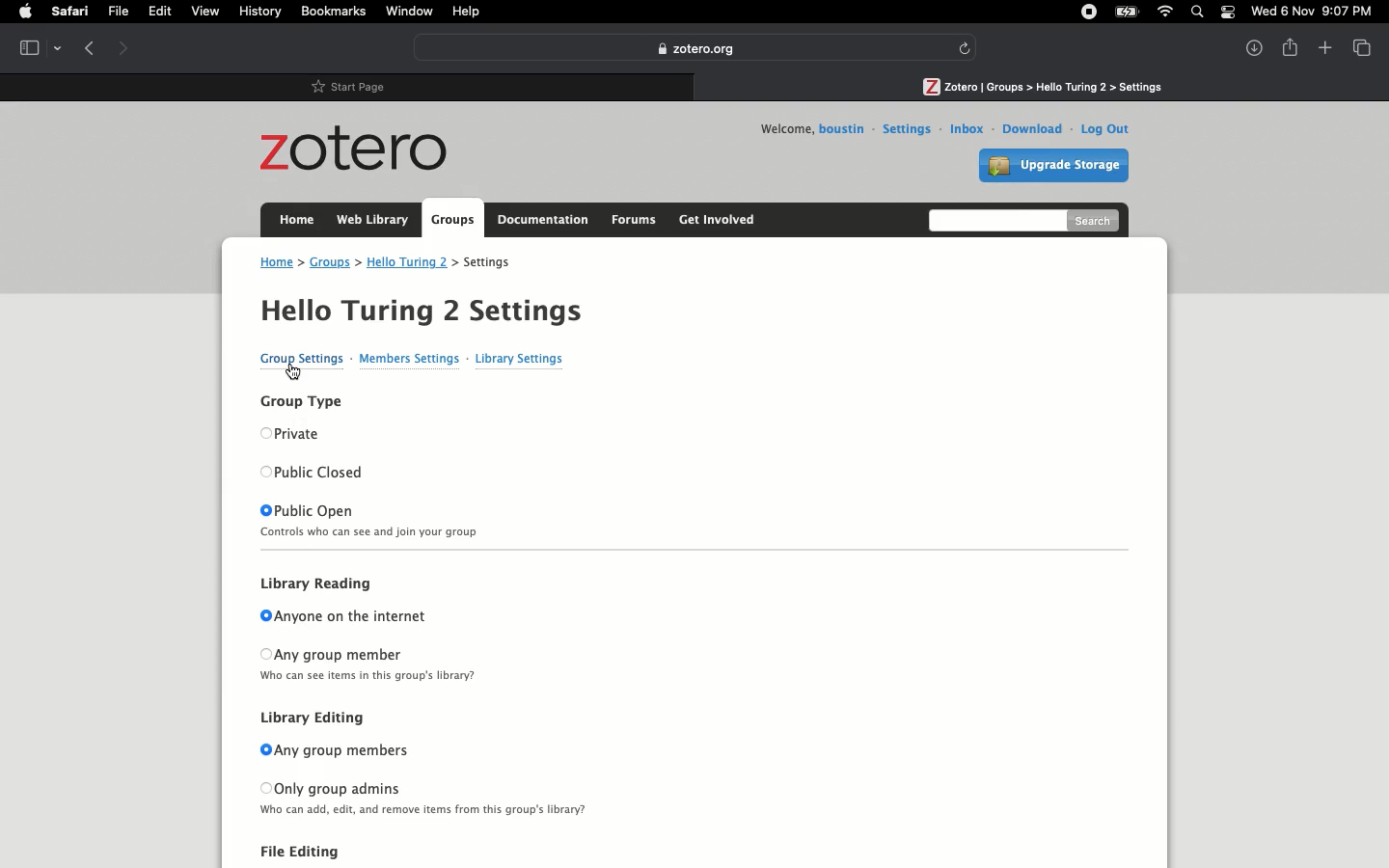  What do you see at coordinates (91, 48) in the screenshot?
I see `Previous` at bounding box center [91, 48].